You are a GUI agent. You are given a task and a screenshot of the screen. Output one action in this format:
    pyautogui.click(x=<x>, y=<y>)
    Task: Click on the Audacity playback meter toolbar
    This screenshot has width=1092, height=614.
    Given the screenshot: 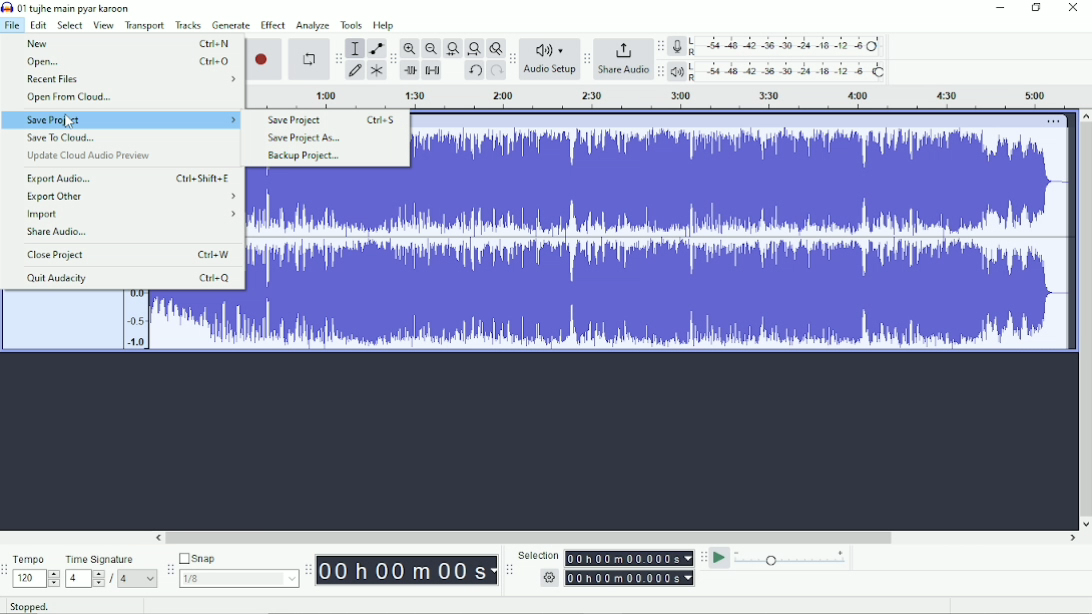 What is the action you would take?
    pyautogui.click(x=662, y=71)
    